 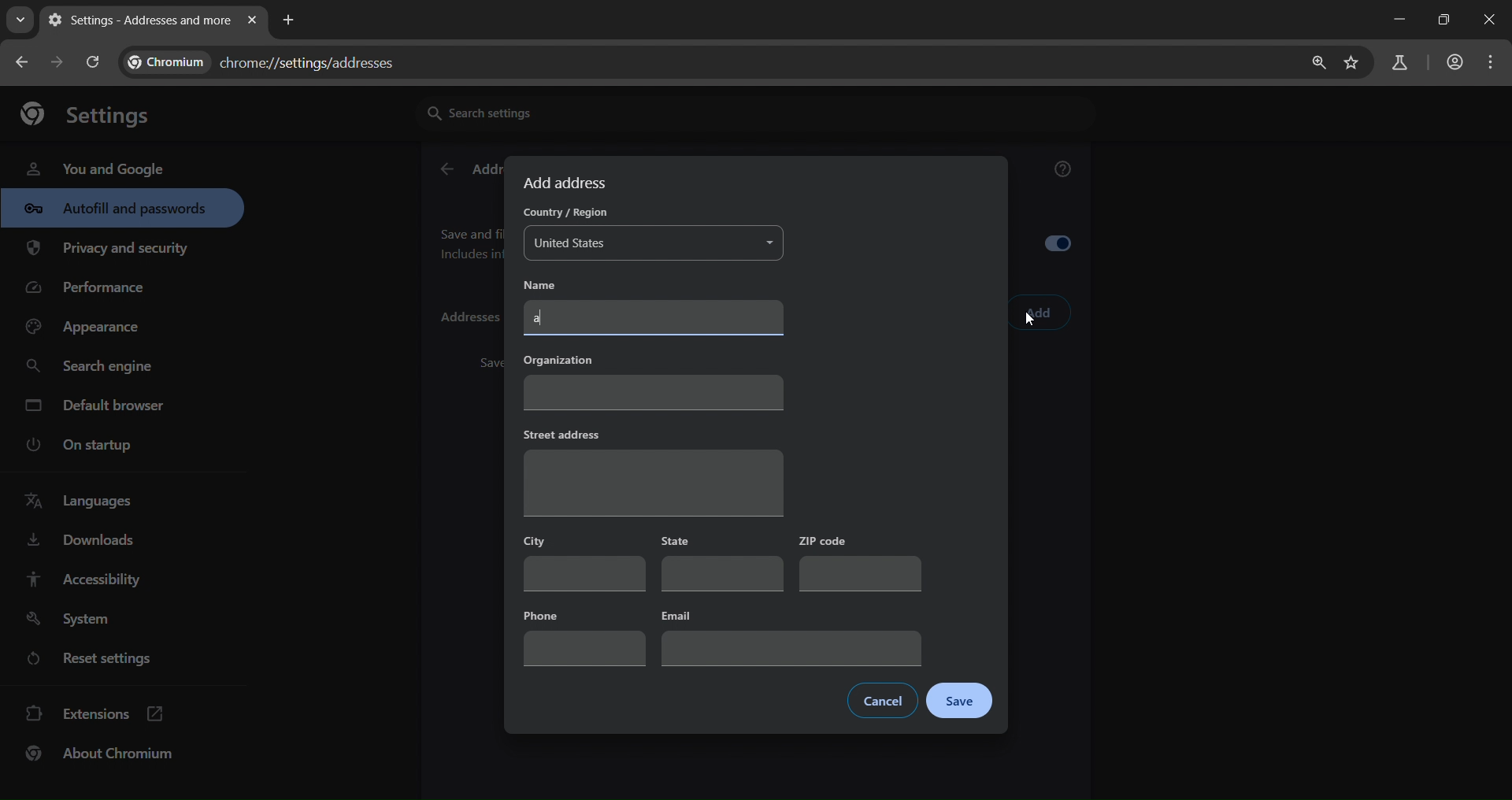 What do you see at coordinates (1064, 172) in the screenshot?
I see `get help` at bounding box center [1064, 172].